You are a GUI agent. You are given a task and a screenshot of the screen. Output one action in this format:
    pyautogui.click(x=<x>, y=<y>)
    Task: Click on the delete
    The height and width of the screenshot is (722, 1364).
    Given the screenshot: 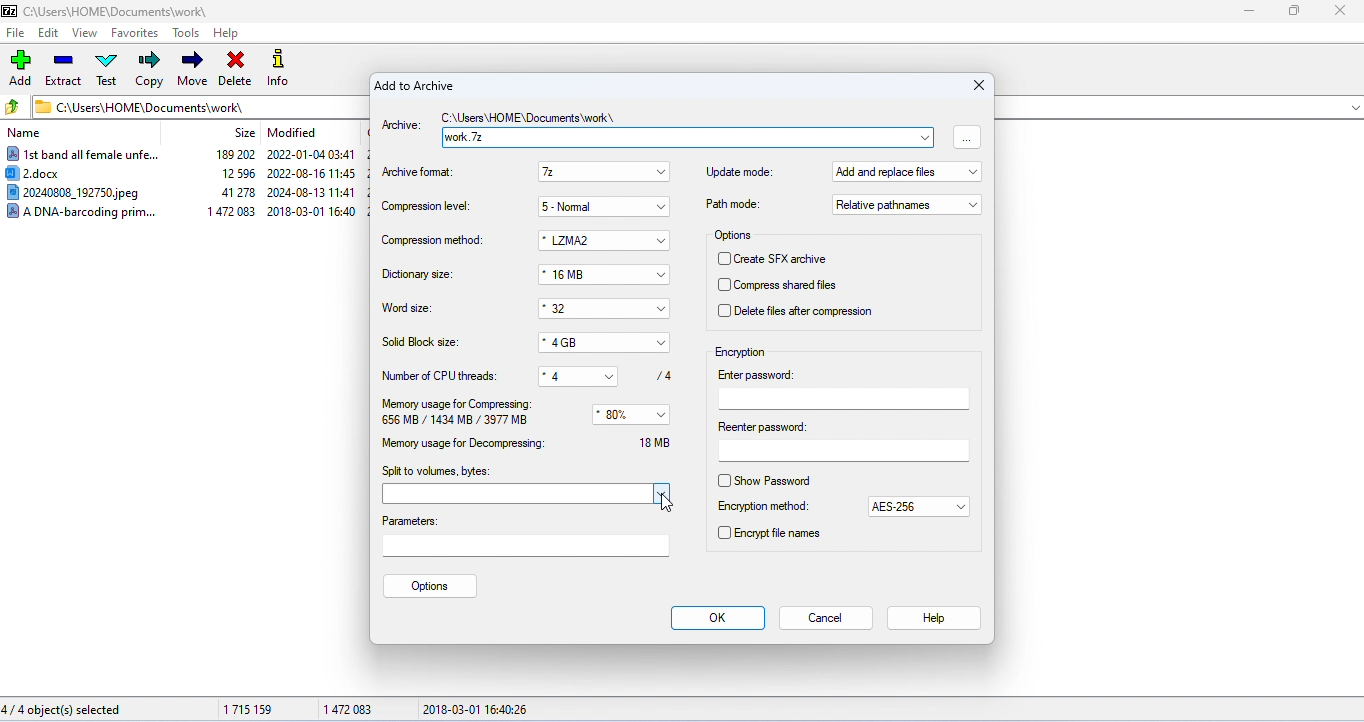 What is the action you would take?
    pyautogui.click(x=234, y=70)
    